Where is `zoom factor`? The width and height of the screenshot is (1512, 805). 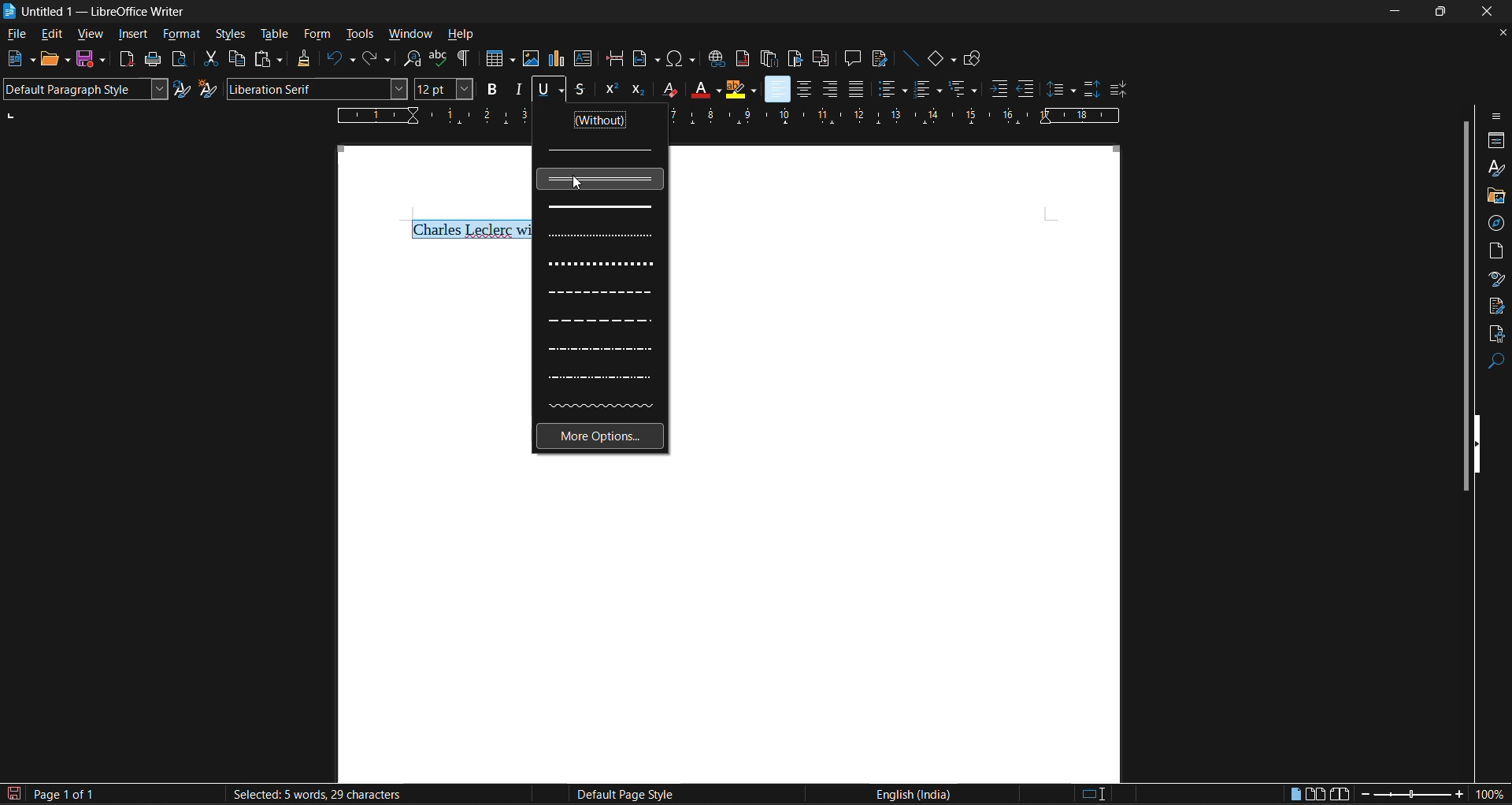 zoom factor is located at coordinates (1492, 793).